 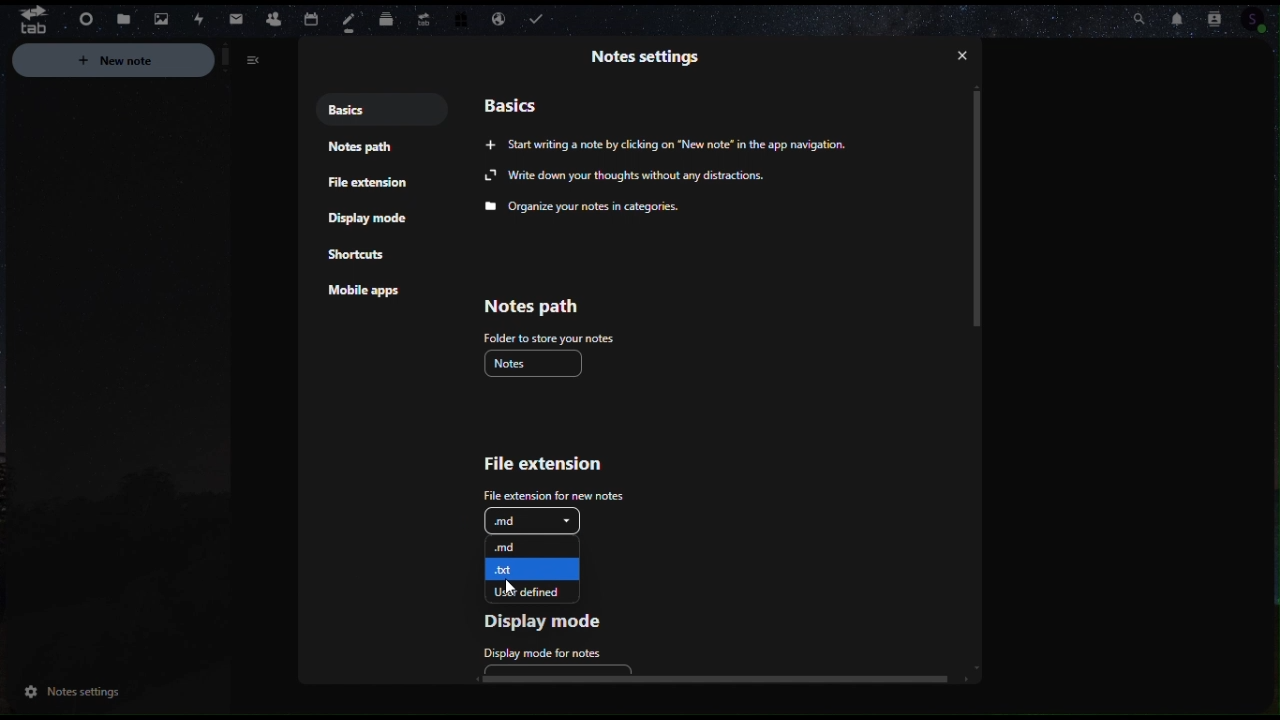 What do you see at coordinates (157, 17) in the screenshot?
I see `Photos` at bounding box center [157, 17].